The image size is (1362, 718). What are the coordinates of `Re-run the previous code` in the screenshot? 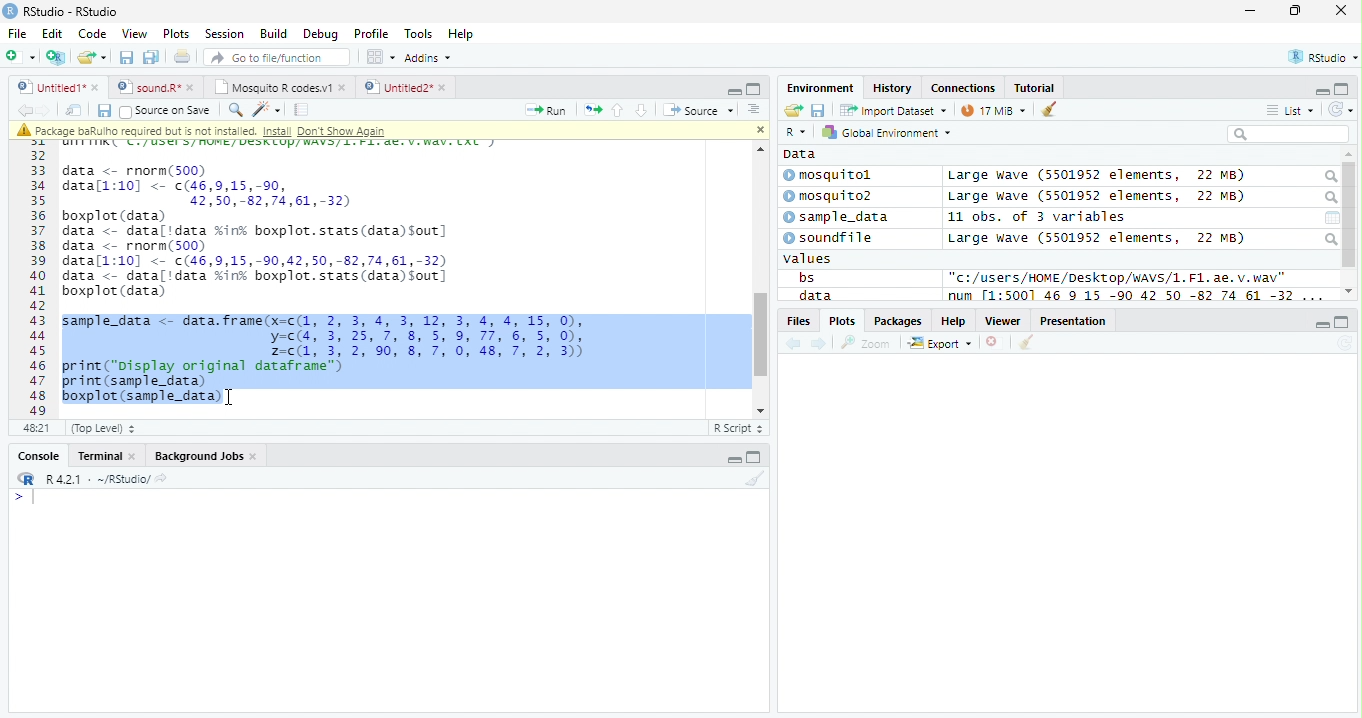 It's located at (592, 110).